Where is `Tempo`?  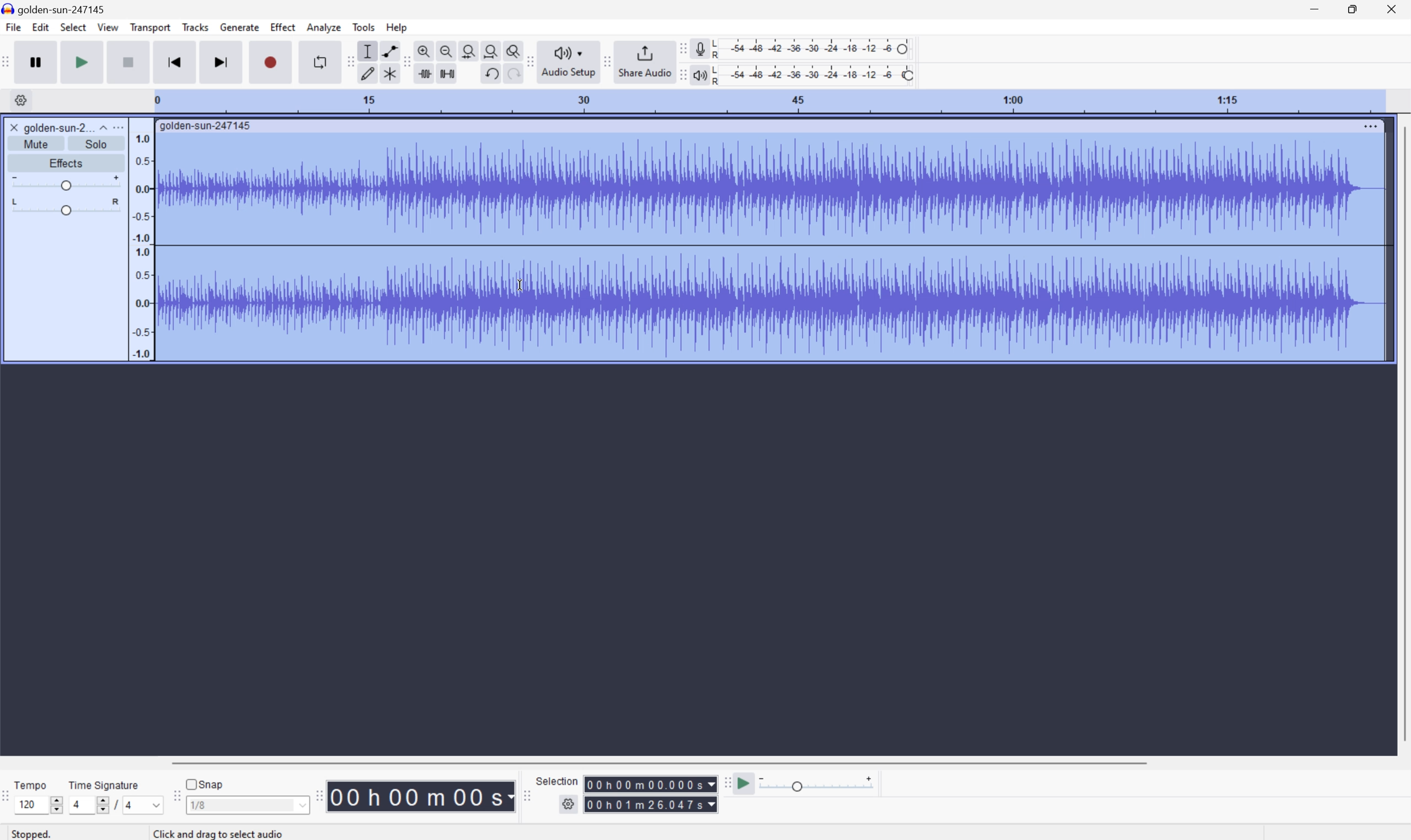 Tempo is located at coordinates (33, 783).